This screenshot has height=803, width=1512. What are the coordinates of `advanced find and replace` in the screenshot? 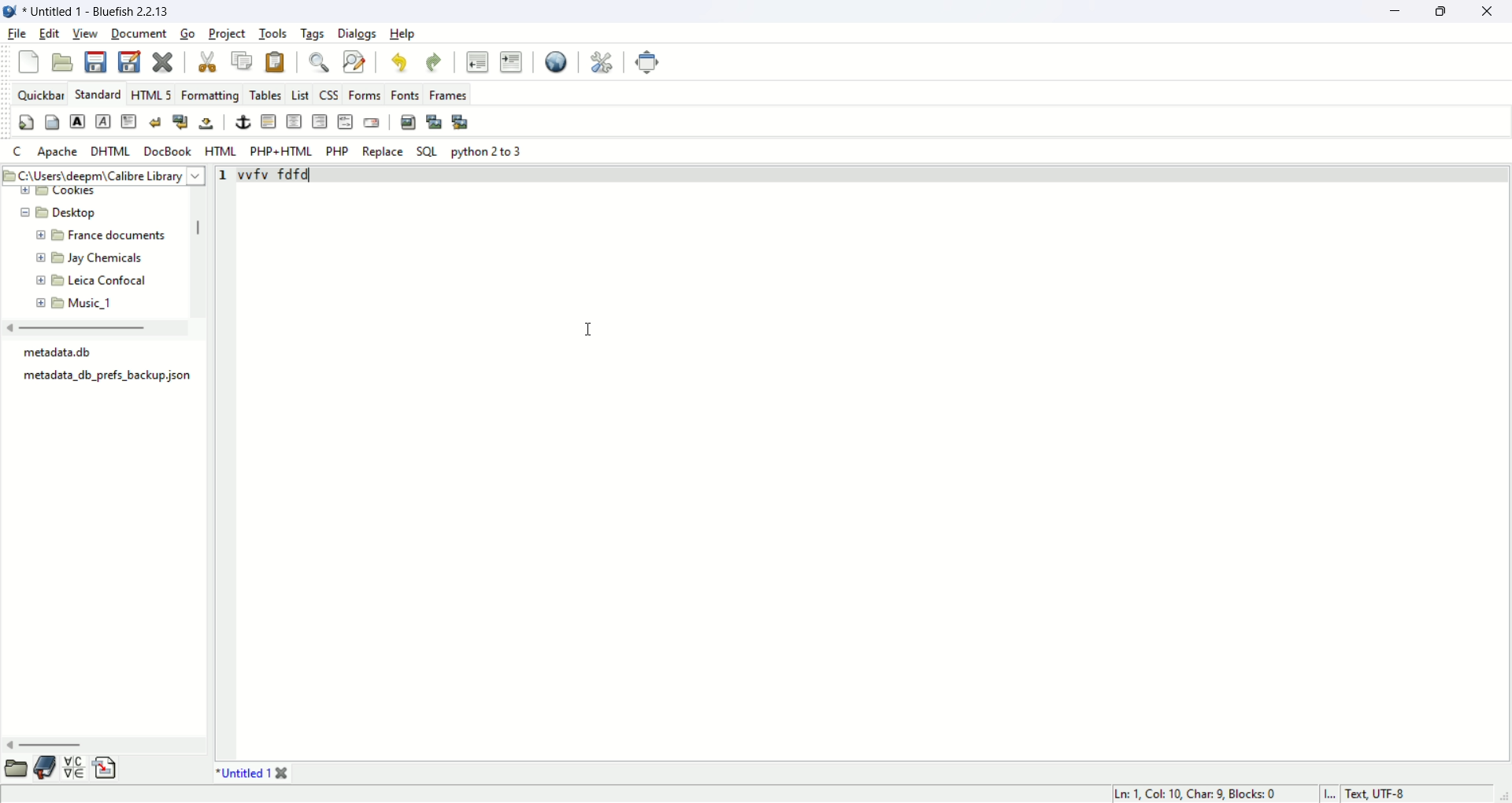 It's located at (354, 61).